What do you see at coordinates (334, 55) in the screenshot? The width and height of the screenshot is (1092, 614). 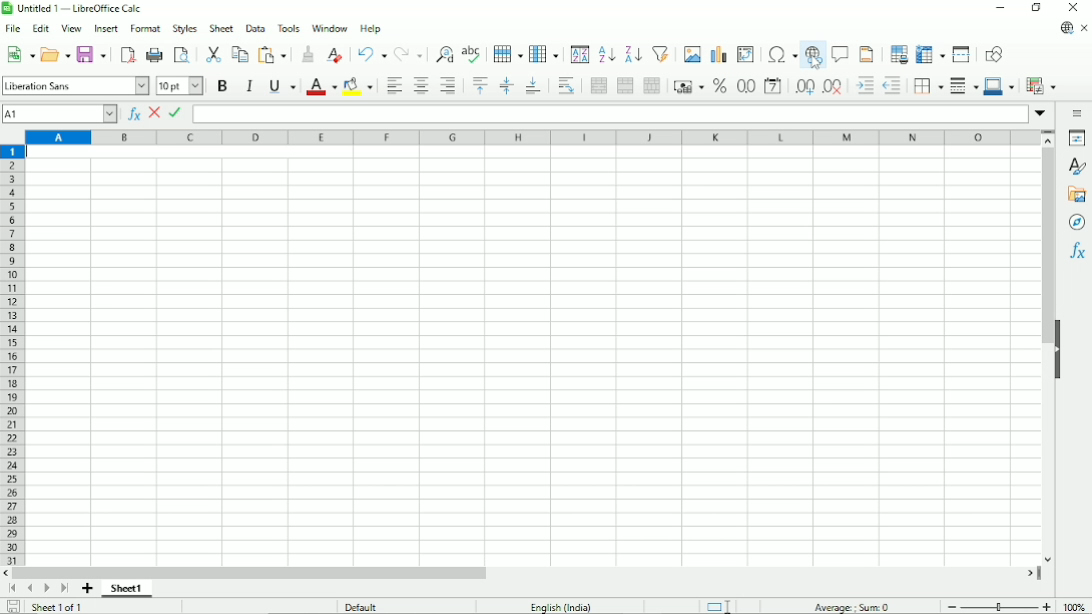 I see `Clear direct formatting` at bounding box center [334, 55].